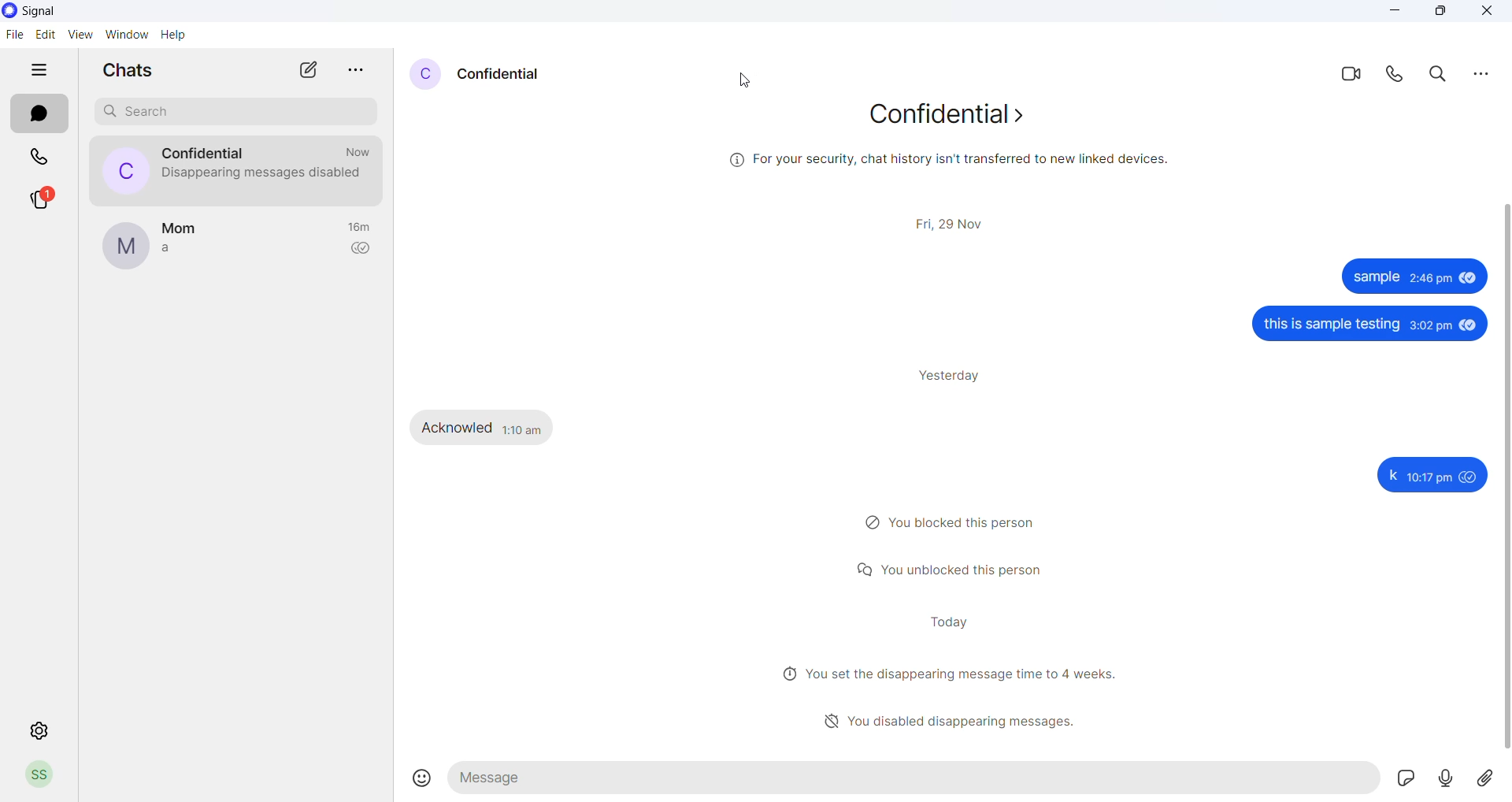 The image size is (1512, 802). I want to click on , so click(498, 73).